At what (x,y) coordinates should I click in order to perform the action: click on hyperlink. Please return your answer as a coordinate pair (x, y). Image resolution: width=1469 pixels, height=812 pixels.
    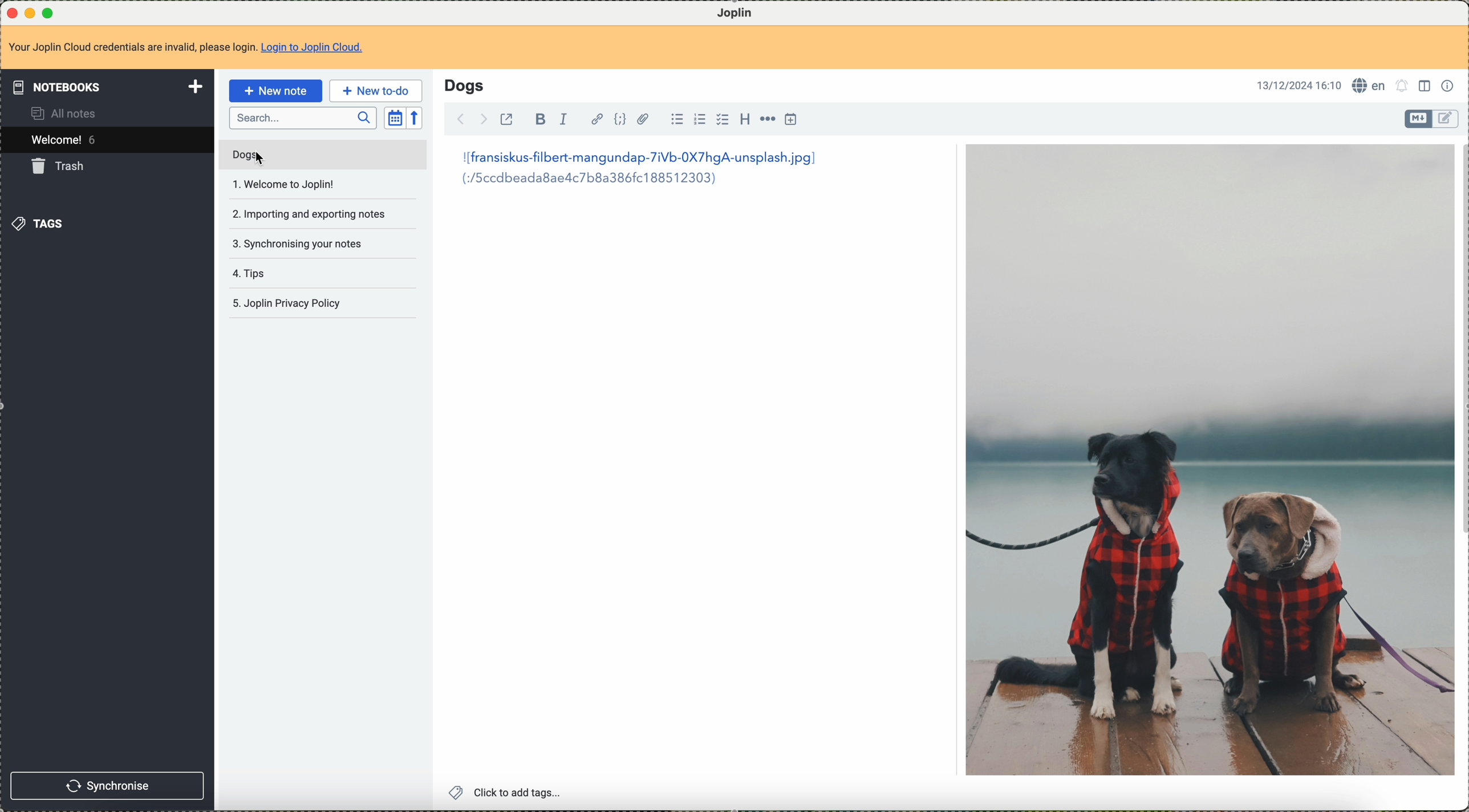
    Looking at the image, I should click on (594, 119).